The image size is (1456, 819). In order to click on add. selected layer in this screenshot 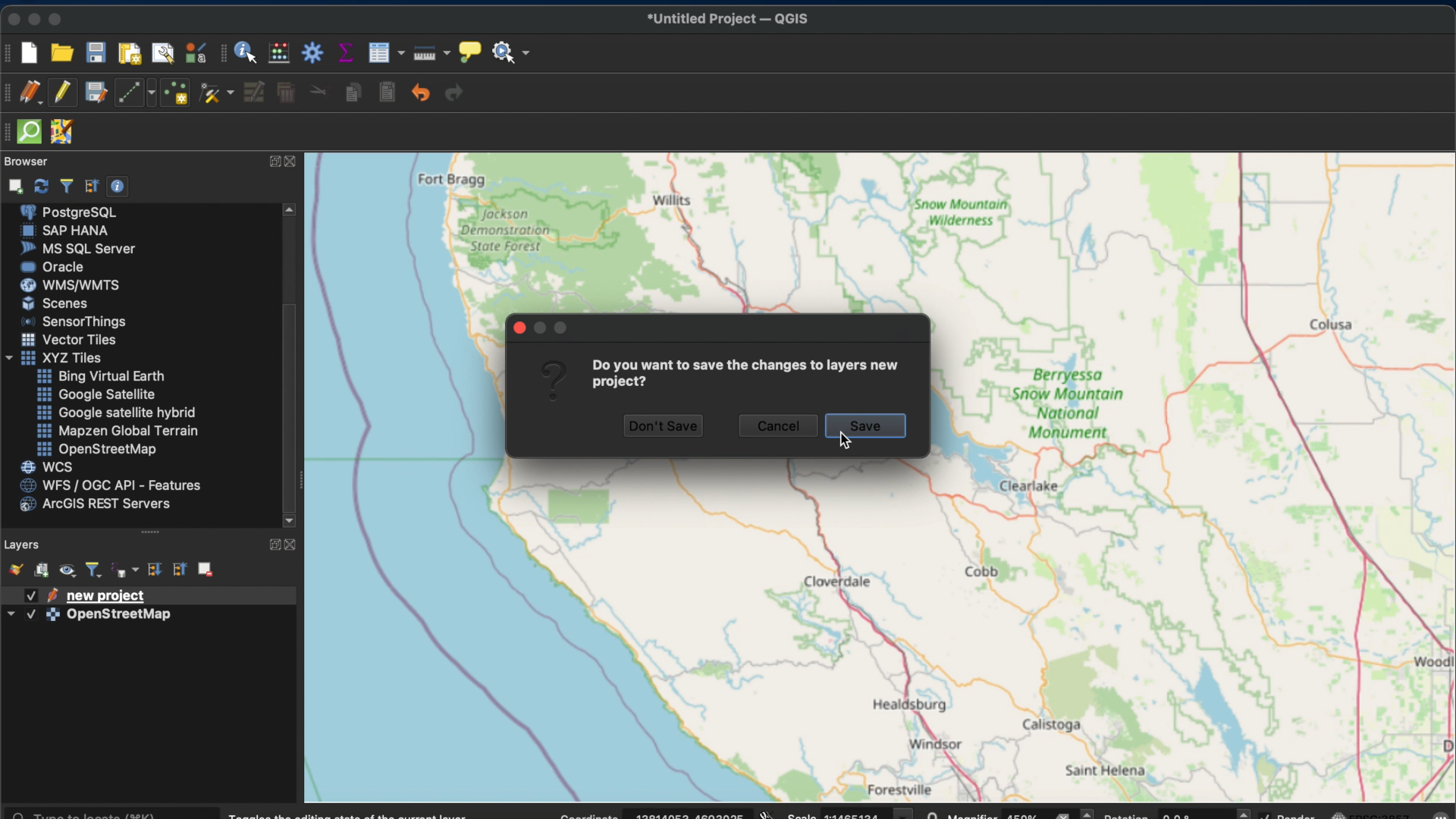, I will do `click(13, 184)`.